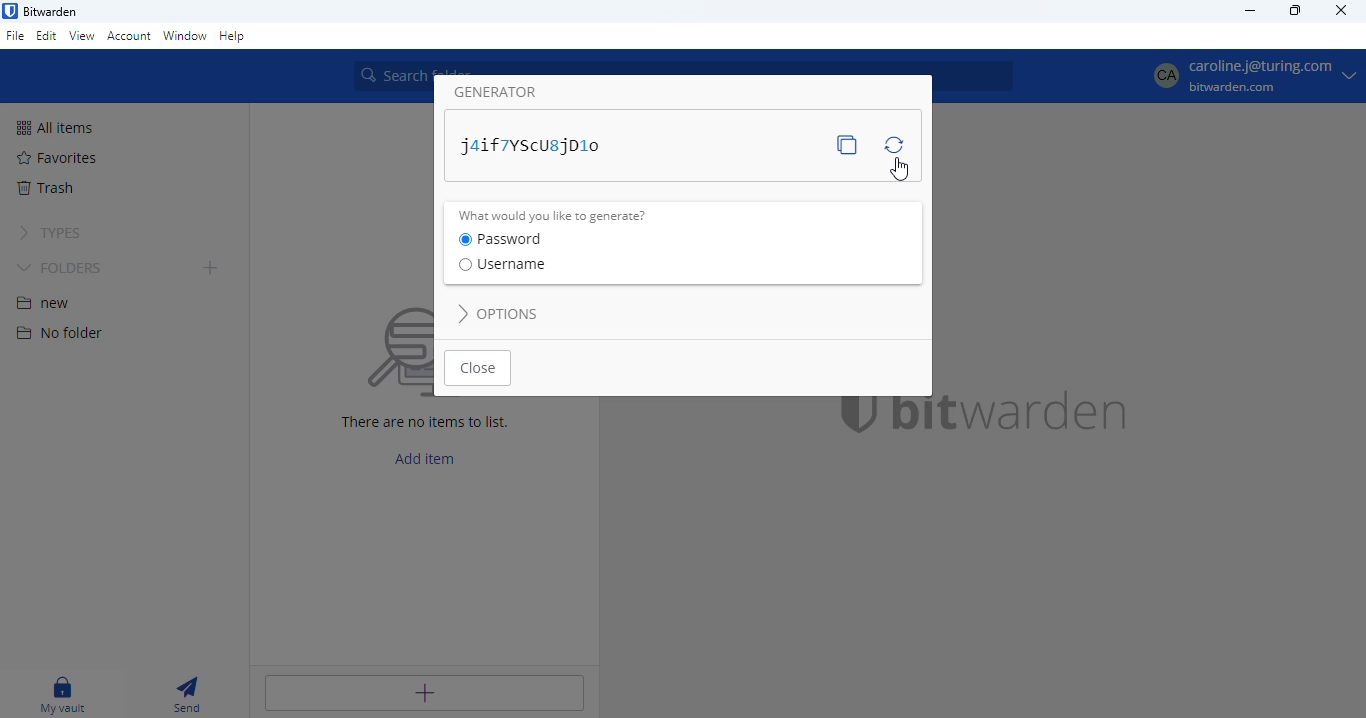 This screenshot has width=1366, height=718. Describe the element at coordinates (50, 11) in the screenshot. I see `bitwarden` at that location.